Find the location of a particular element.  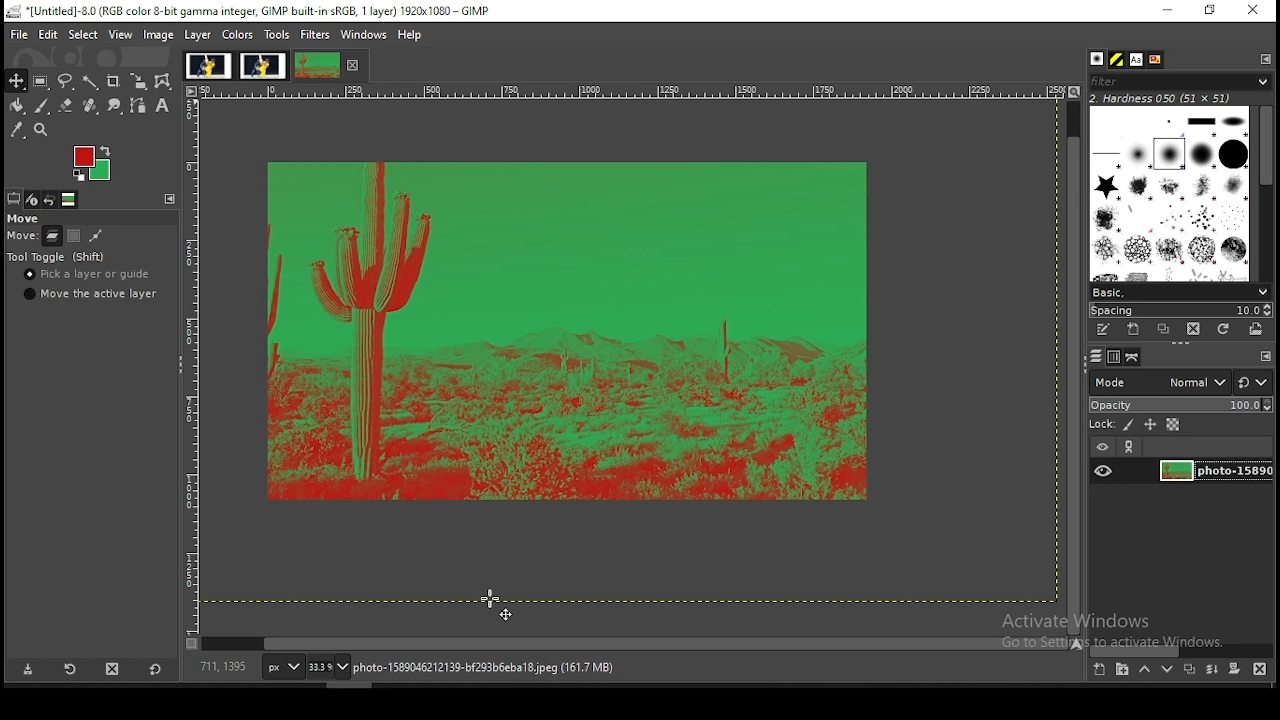

scale tool is located at coordinates (141, 81).